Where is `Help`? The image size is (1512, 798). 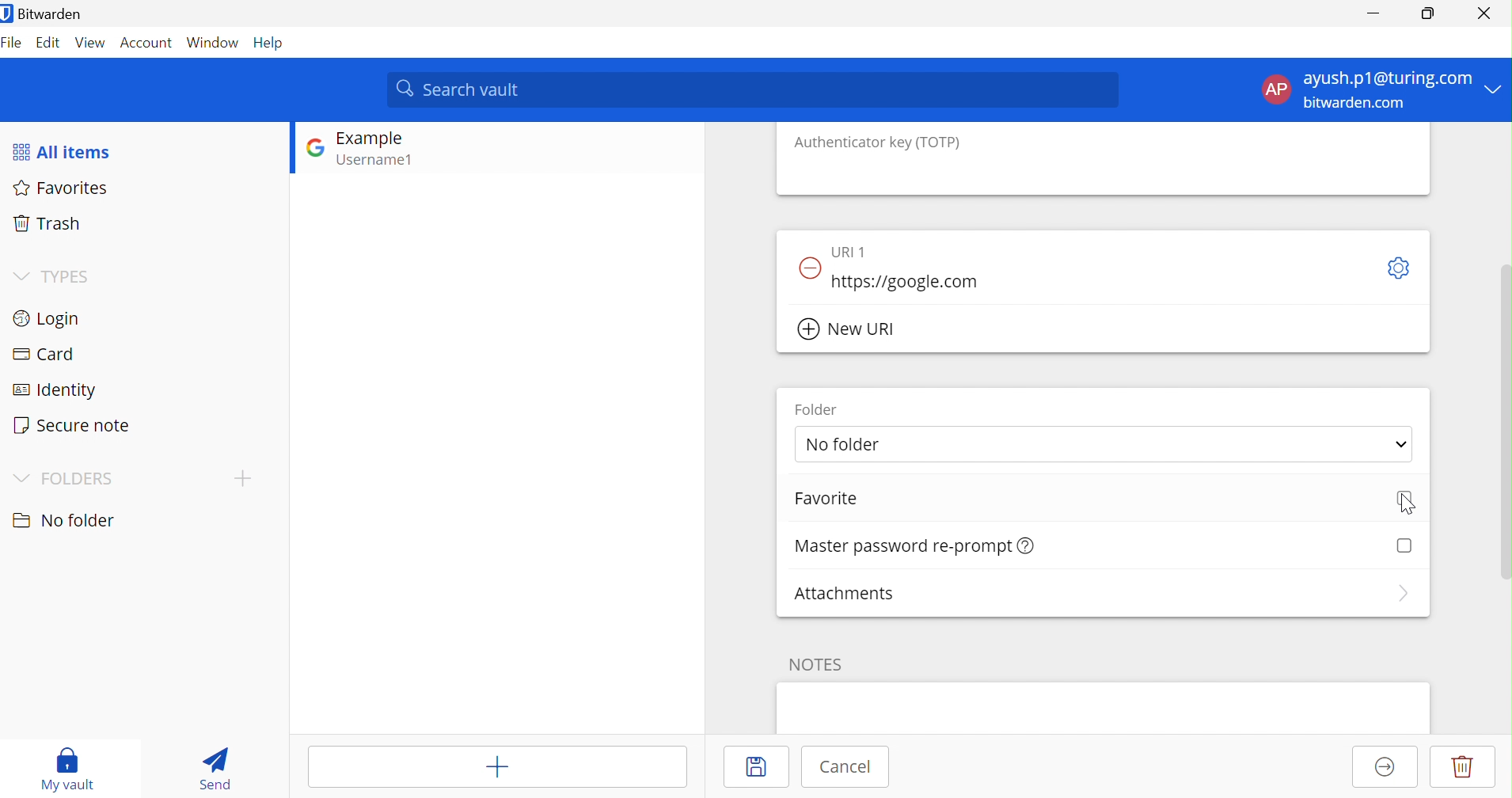 Help is located at coordinates (272, 43).